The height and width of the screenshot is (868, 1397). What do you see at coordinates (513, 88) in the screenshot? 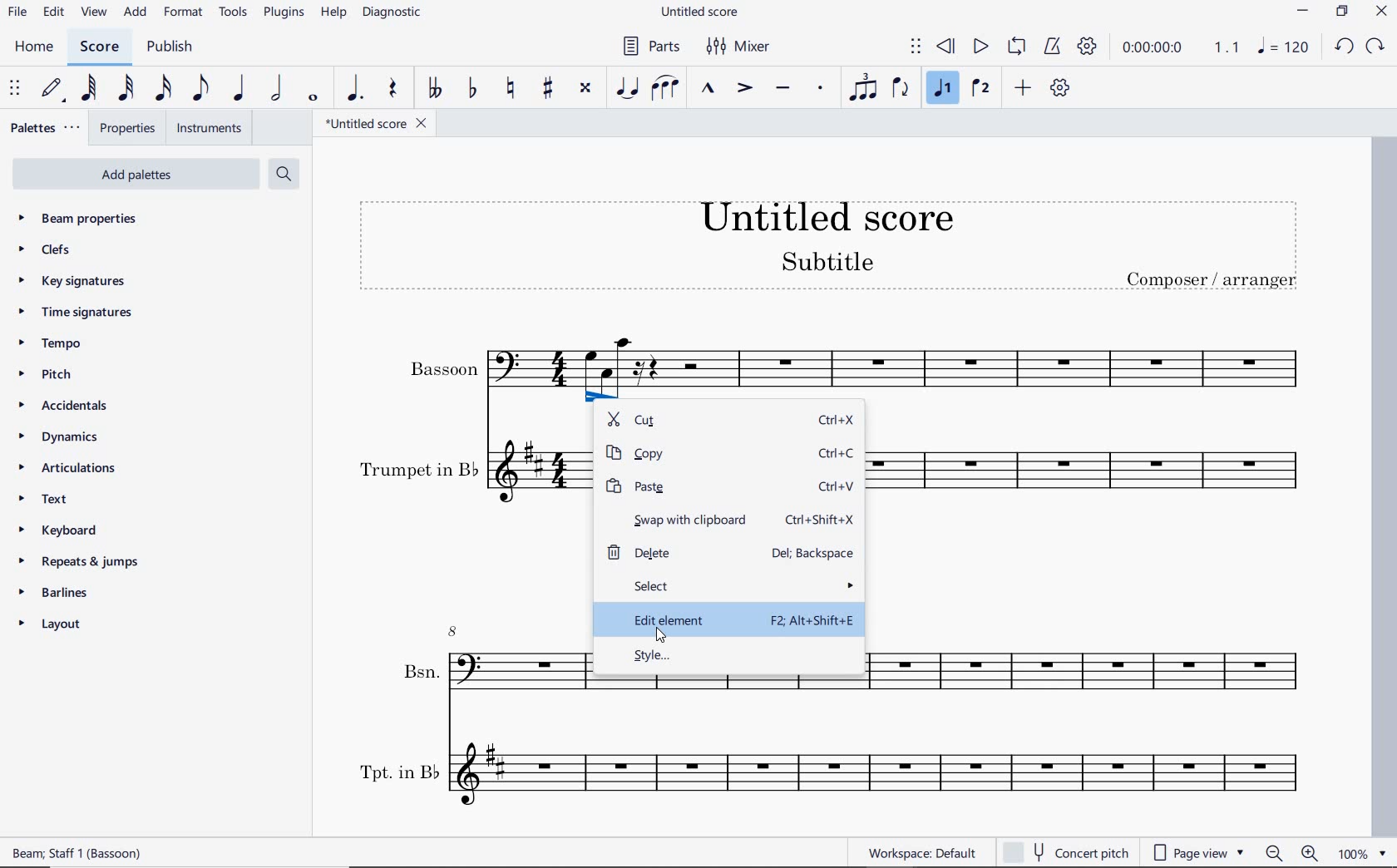
I see `toggle natural` at bounding box center [513, 88].